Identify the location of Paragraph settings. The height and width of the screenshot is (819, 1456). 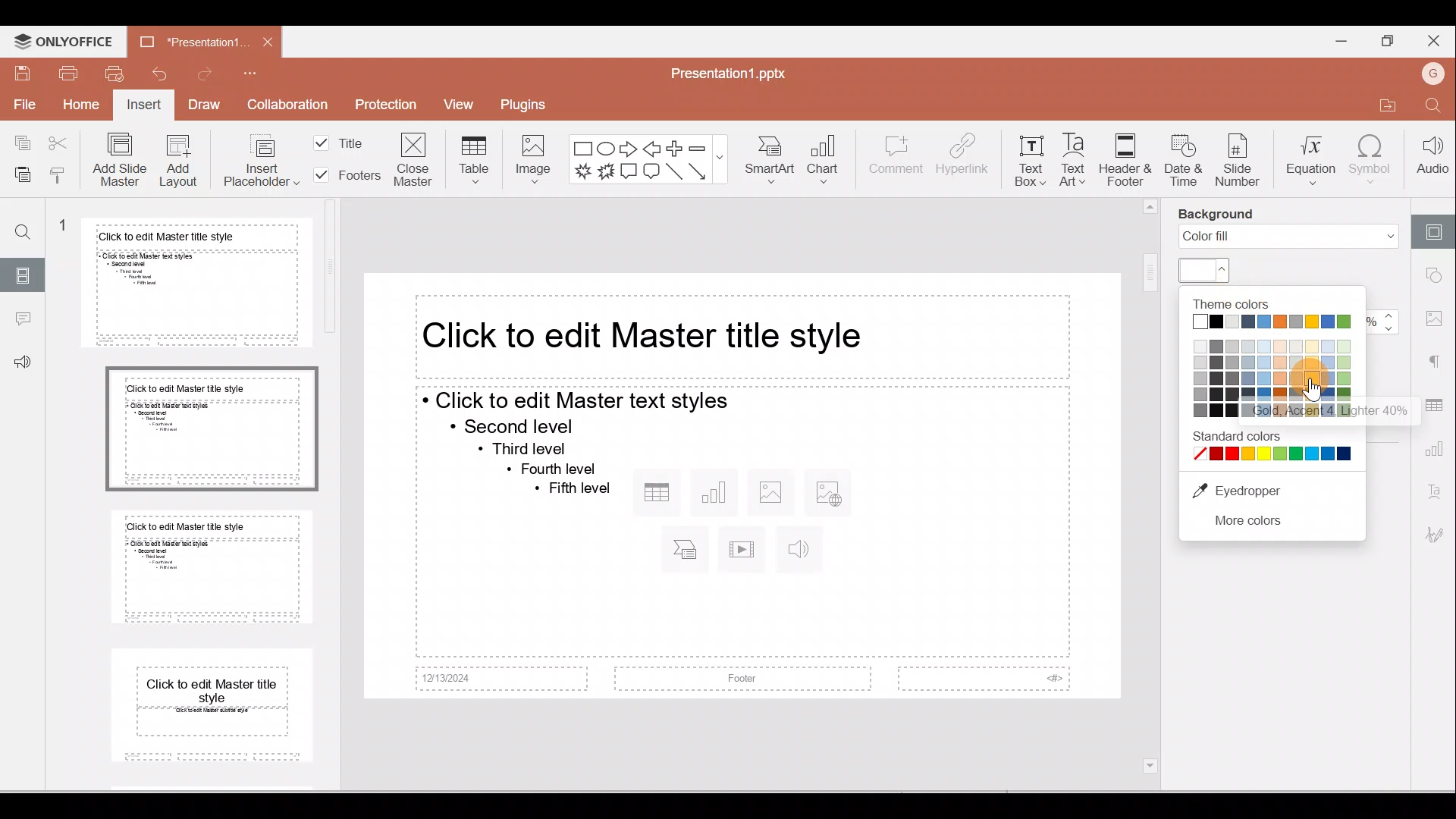
(1437, 359).